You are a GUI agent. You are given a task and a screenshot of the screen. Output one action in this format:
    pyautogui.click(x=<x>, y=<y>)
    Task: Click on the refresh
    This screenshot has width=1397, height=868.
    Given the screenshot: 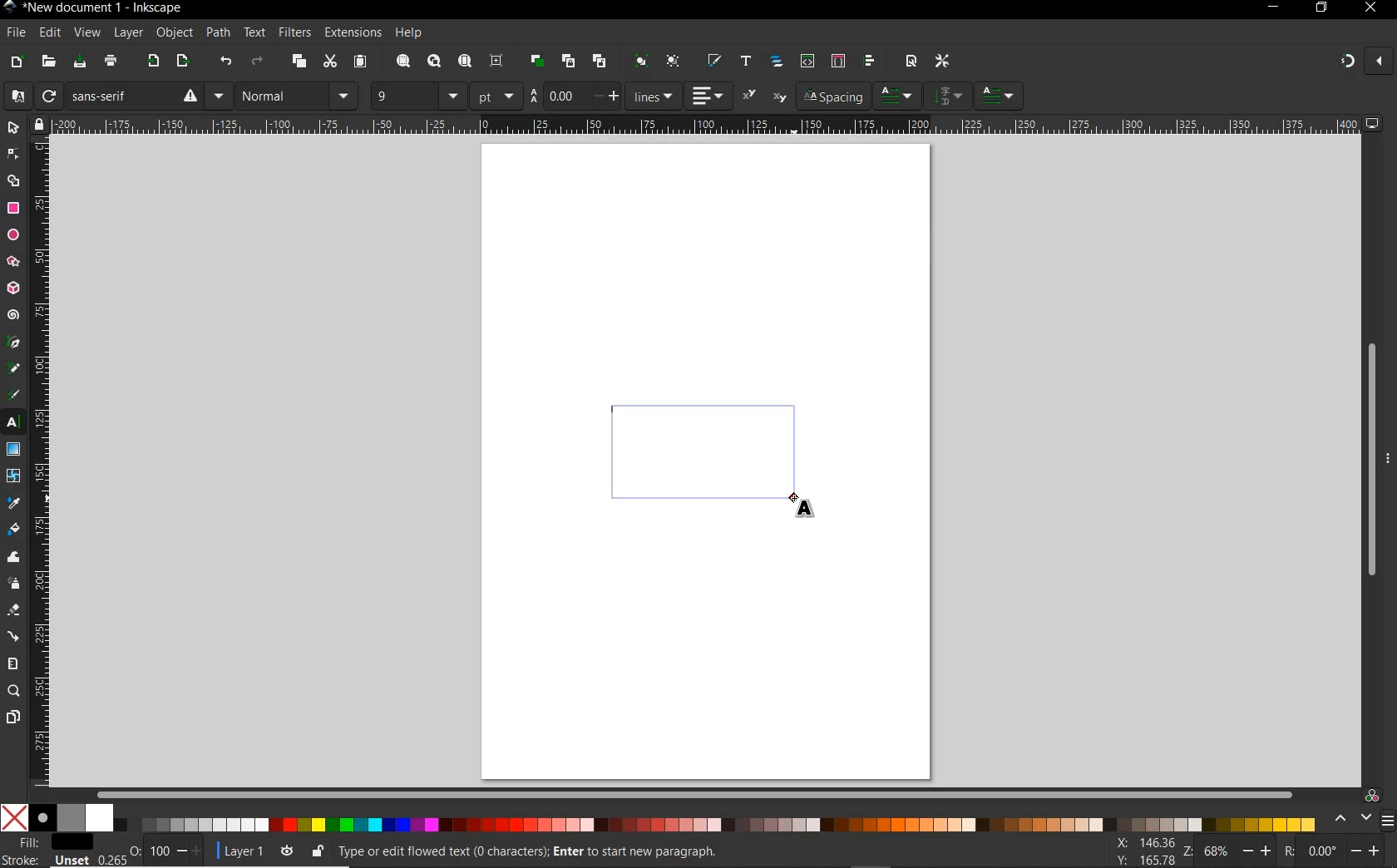 What is the action you would take?
    pyautogui.click(x=47, y=96)
    